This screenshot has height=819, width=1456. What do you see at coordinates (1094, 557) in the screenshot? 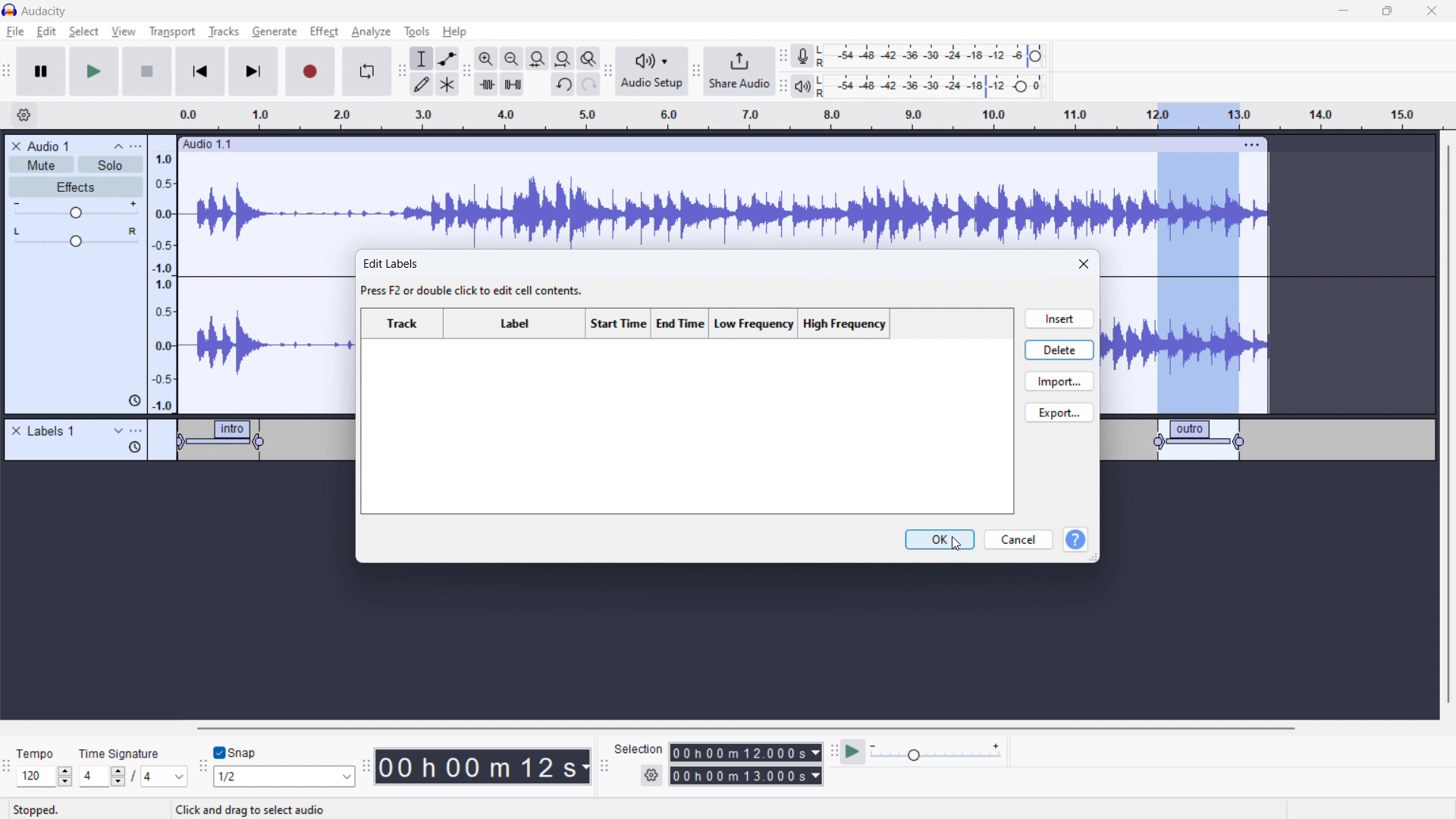
I see `resize` at bounding box center [1094, 557].